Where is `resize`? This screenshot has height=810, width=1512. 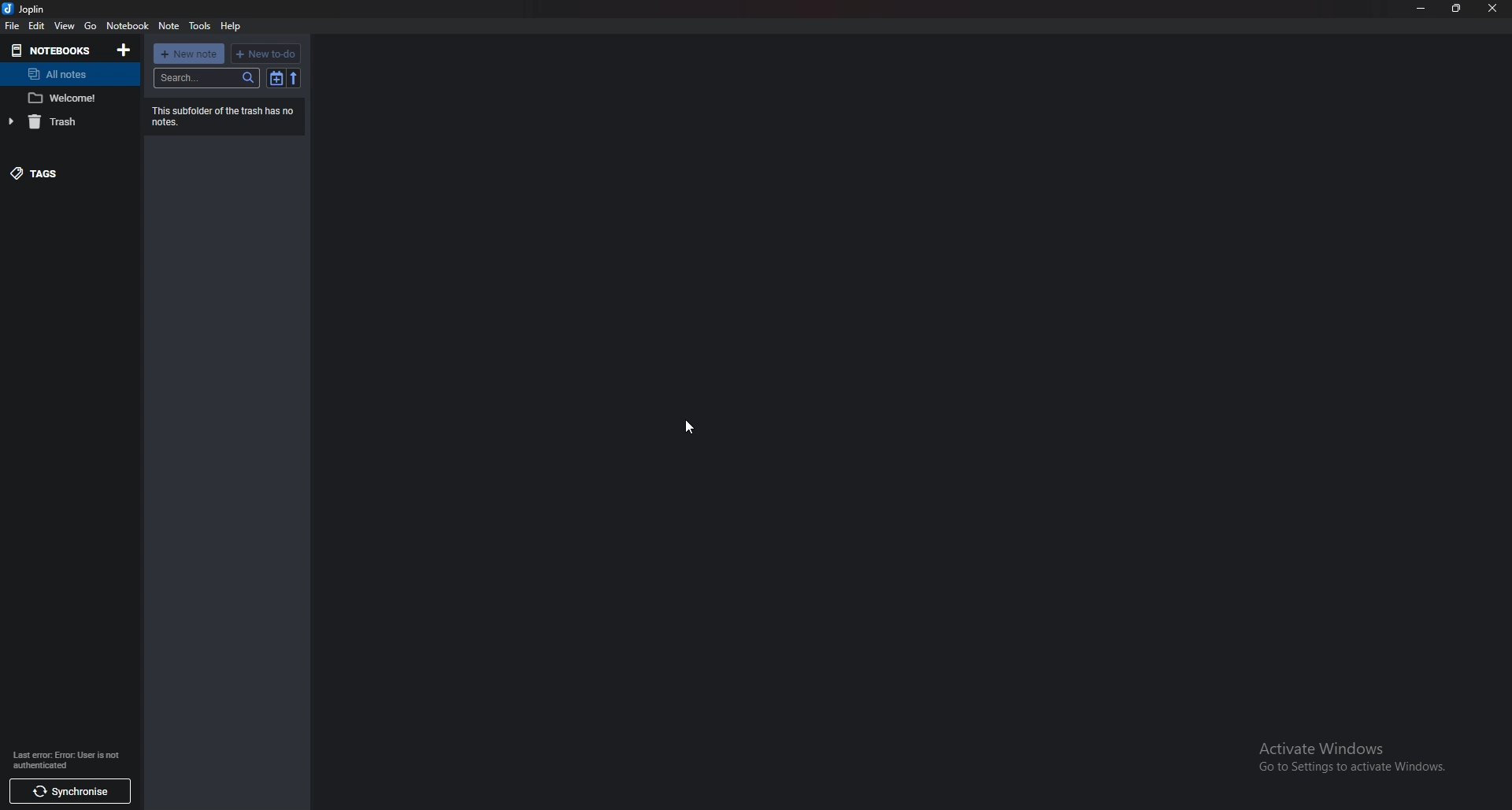 resize is located at coordinates (1457, 8).